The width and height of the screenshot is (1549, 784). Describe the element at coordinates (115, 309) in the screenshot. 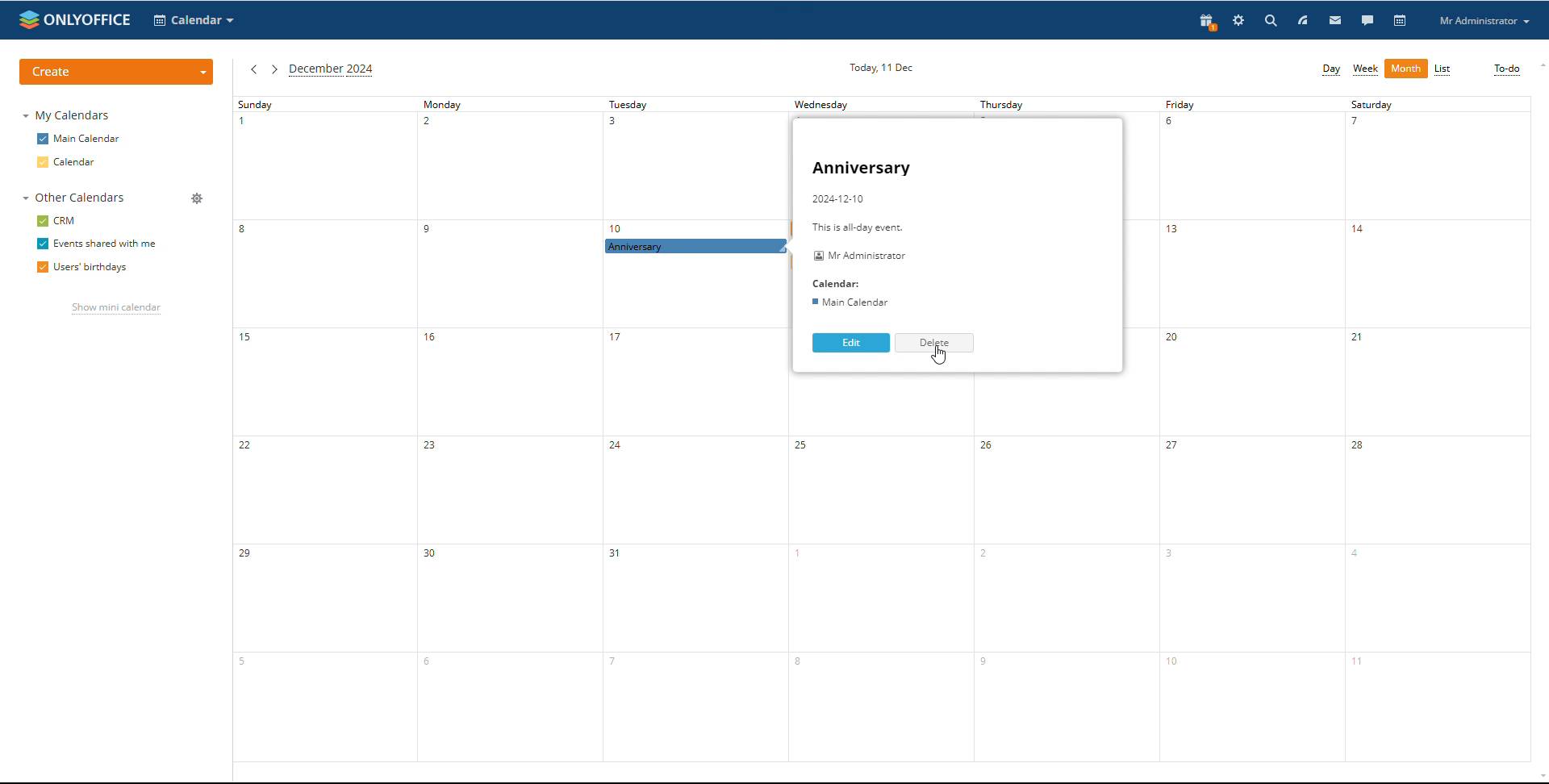

I see `show mini calendar` at that location.